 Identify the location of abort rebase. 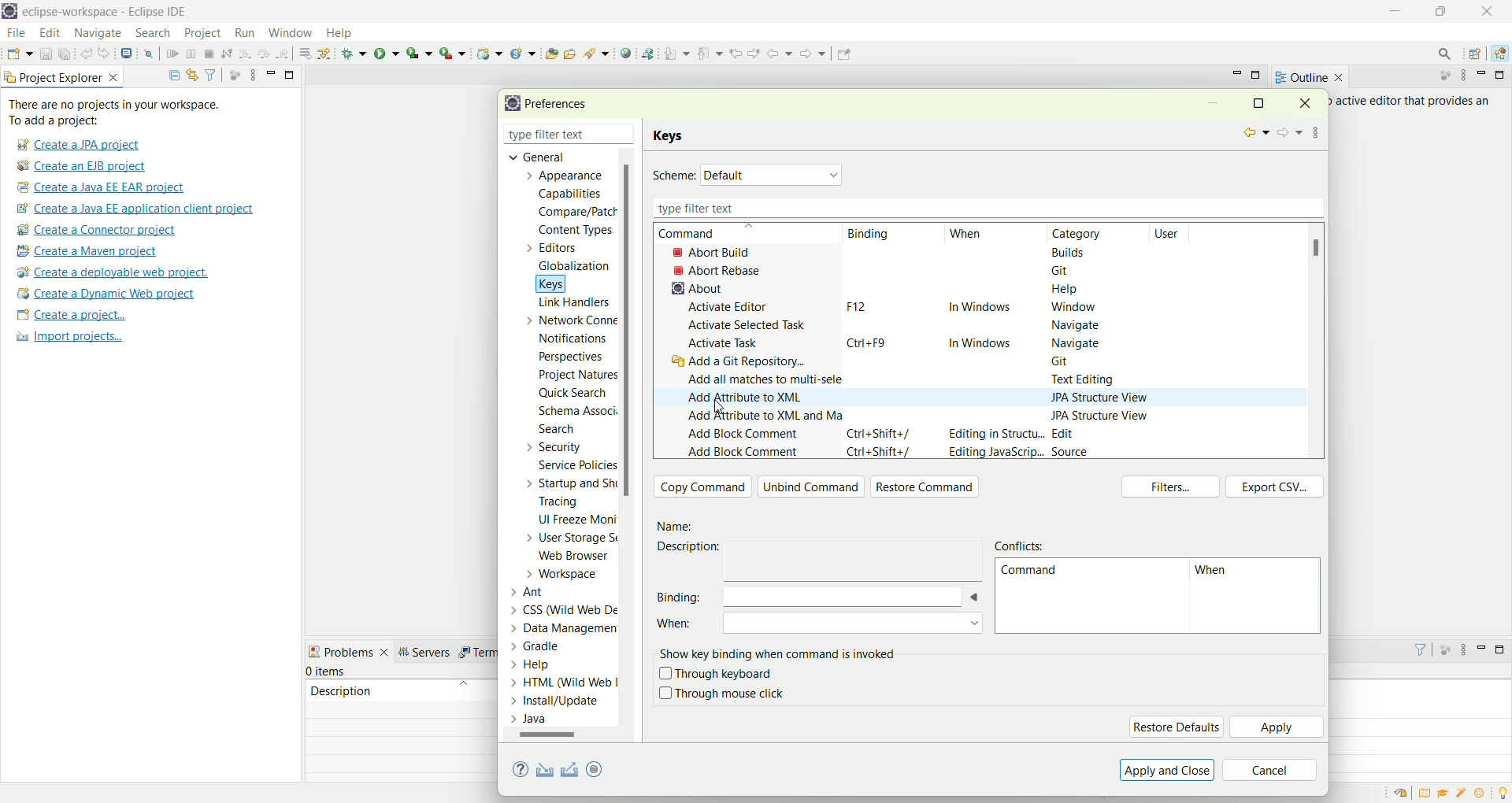
(721, 271).